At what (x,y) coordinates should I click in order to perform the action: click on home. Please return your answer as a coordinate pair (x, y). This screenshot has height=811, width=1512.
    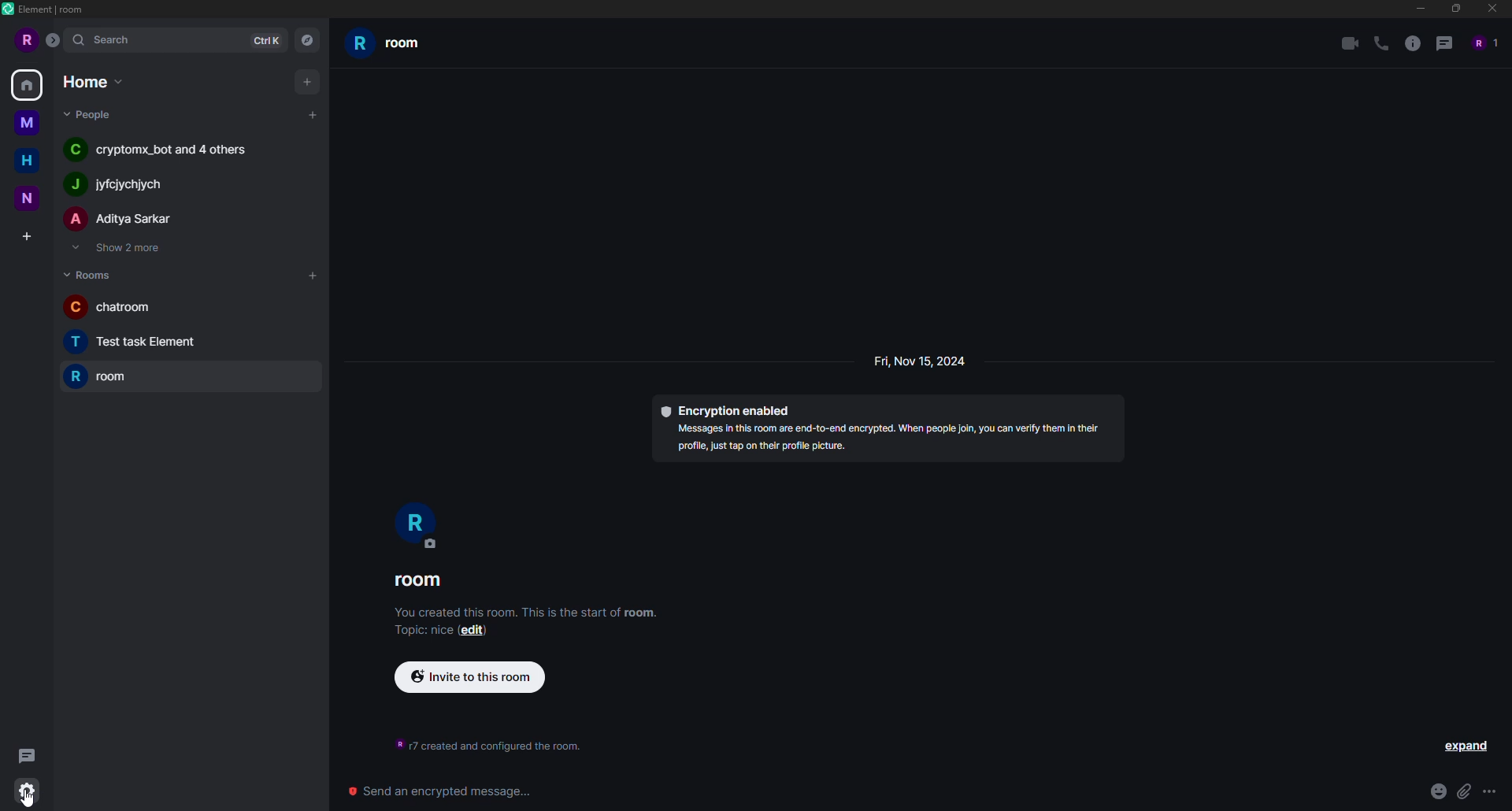
    Looking at the image, I should click on (91, 81).